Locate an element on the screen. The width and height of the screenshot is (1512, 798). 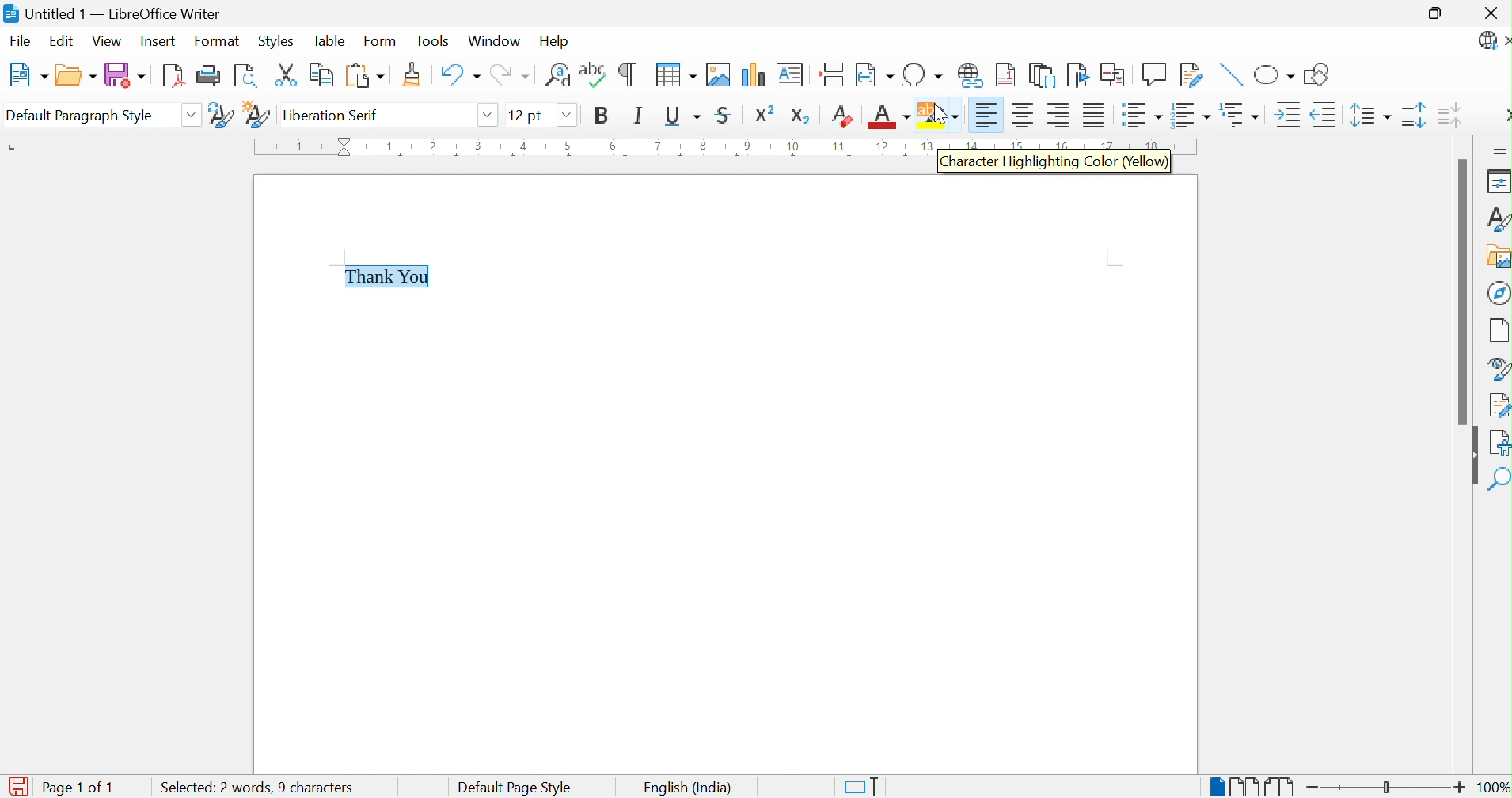
Update Selected Style is located at coordinates (222, 116).